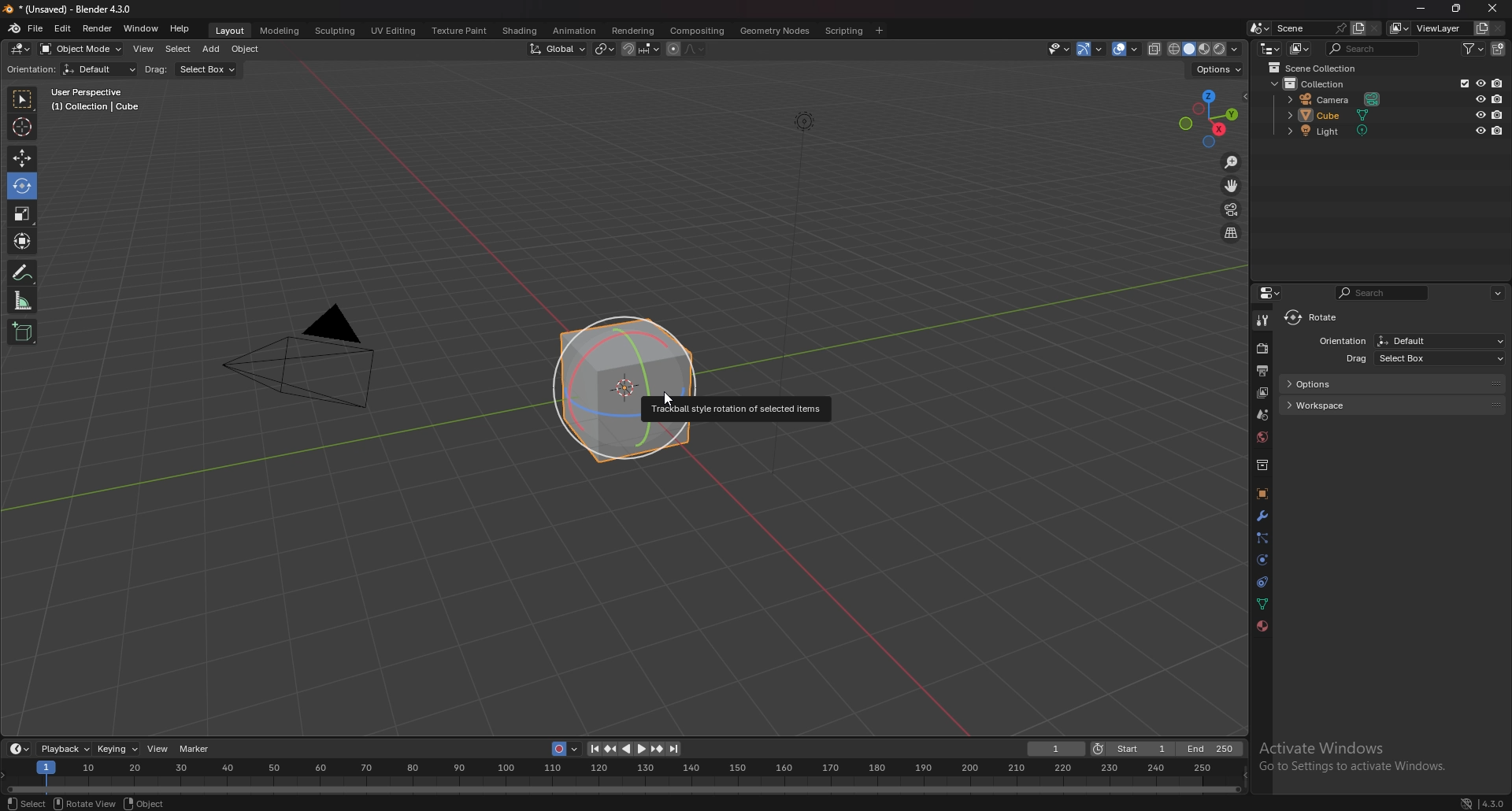 The width and height of the screenshot is (1512, 811). I want to click on filter, so click(1473, 48).